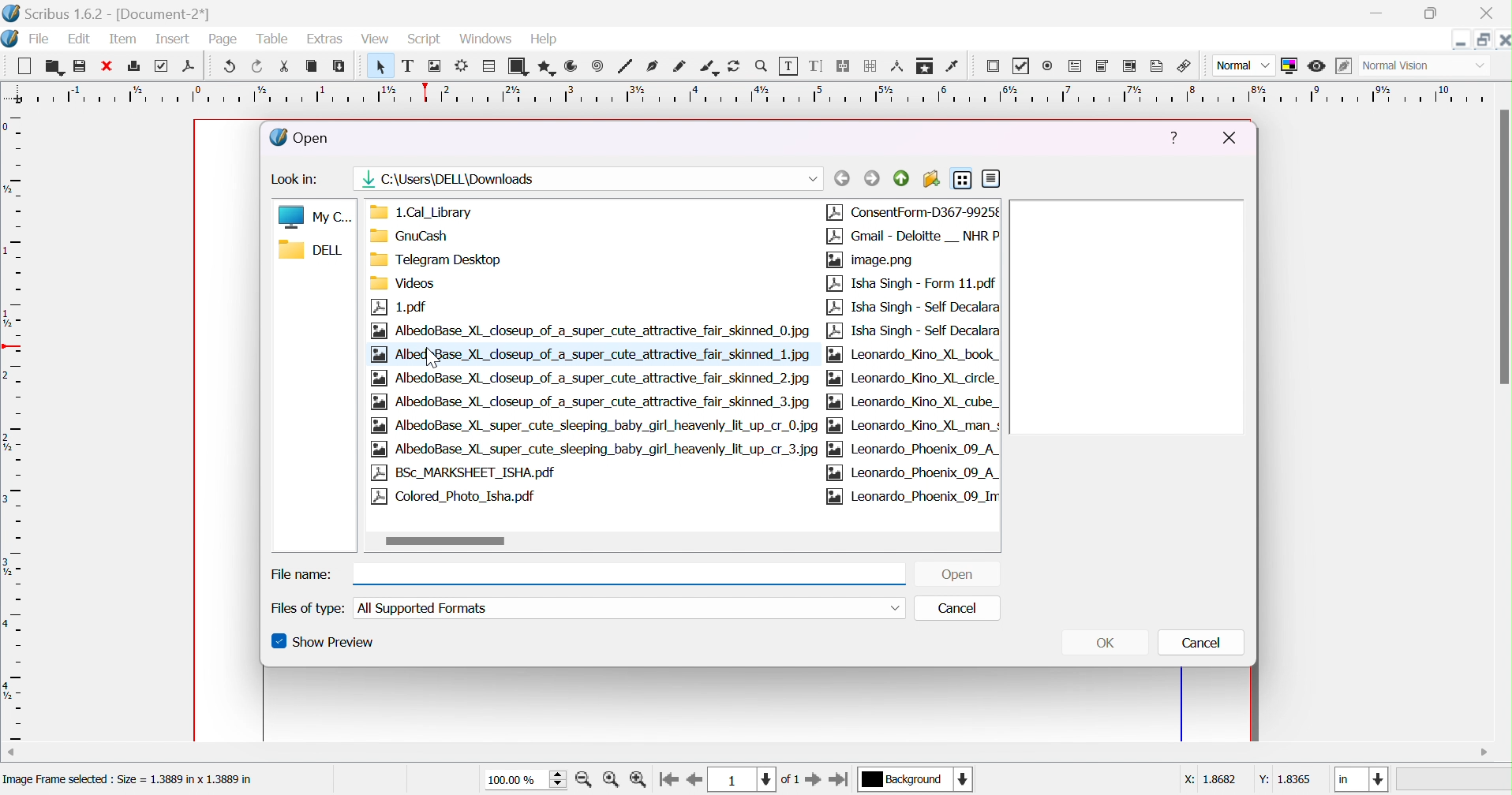 The height and width of the screenshot is (795, 1512). Describe the element at coordinates (315, 217) in the screenshot. I see `My C...` at that location.